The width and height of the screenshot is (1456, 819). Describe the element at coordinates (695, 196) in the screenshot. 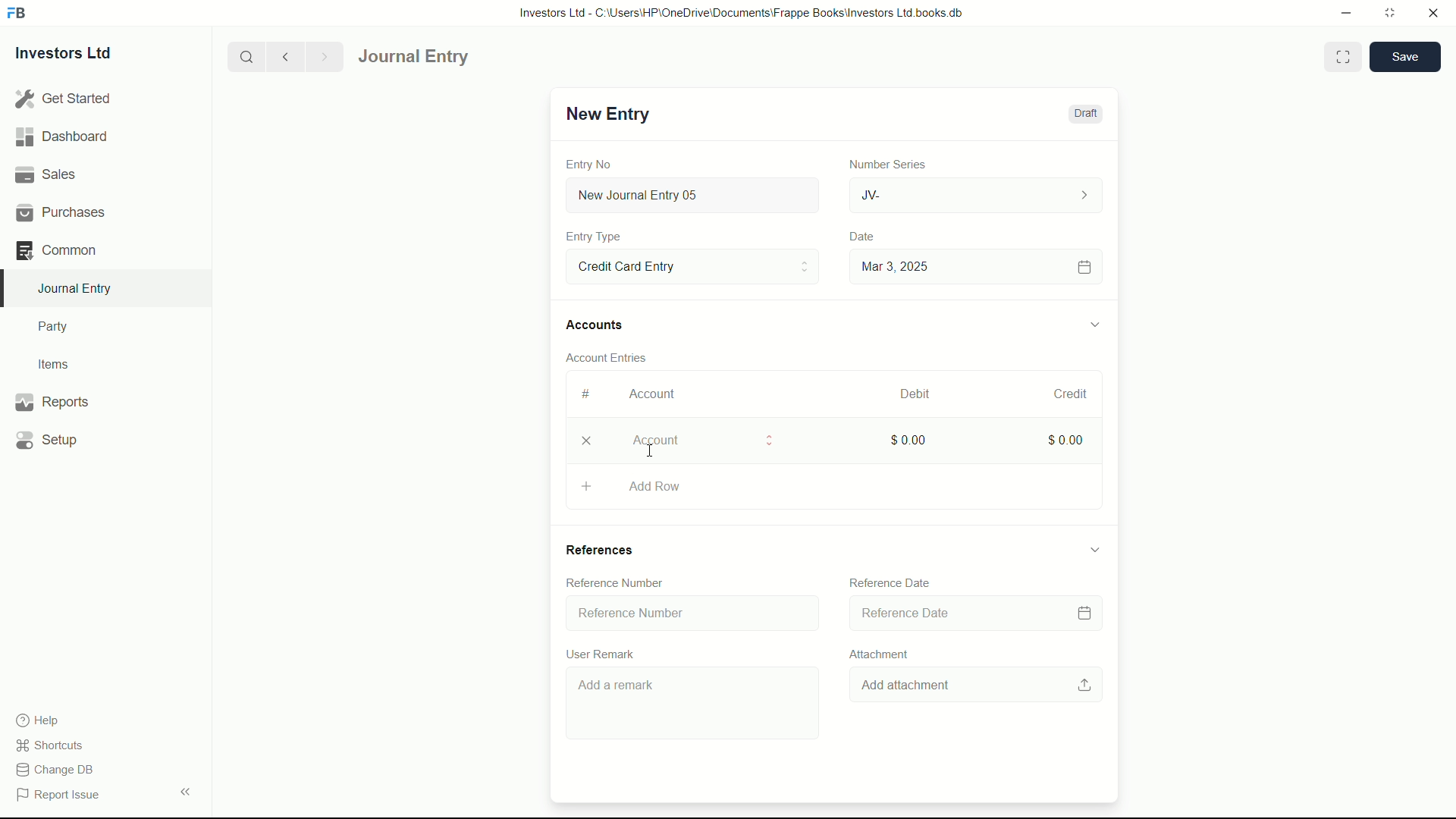

I see `New Journal Entry 05` at that location.